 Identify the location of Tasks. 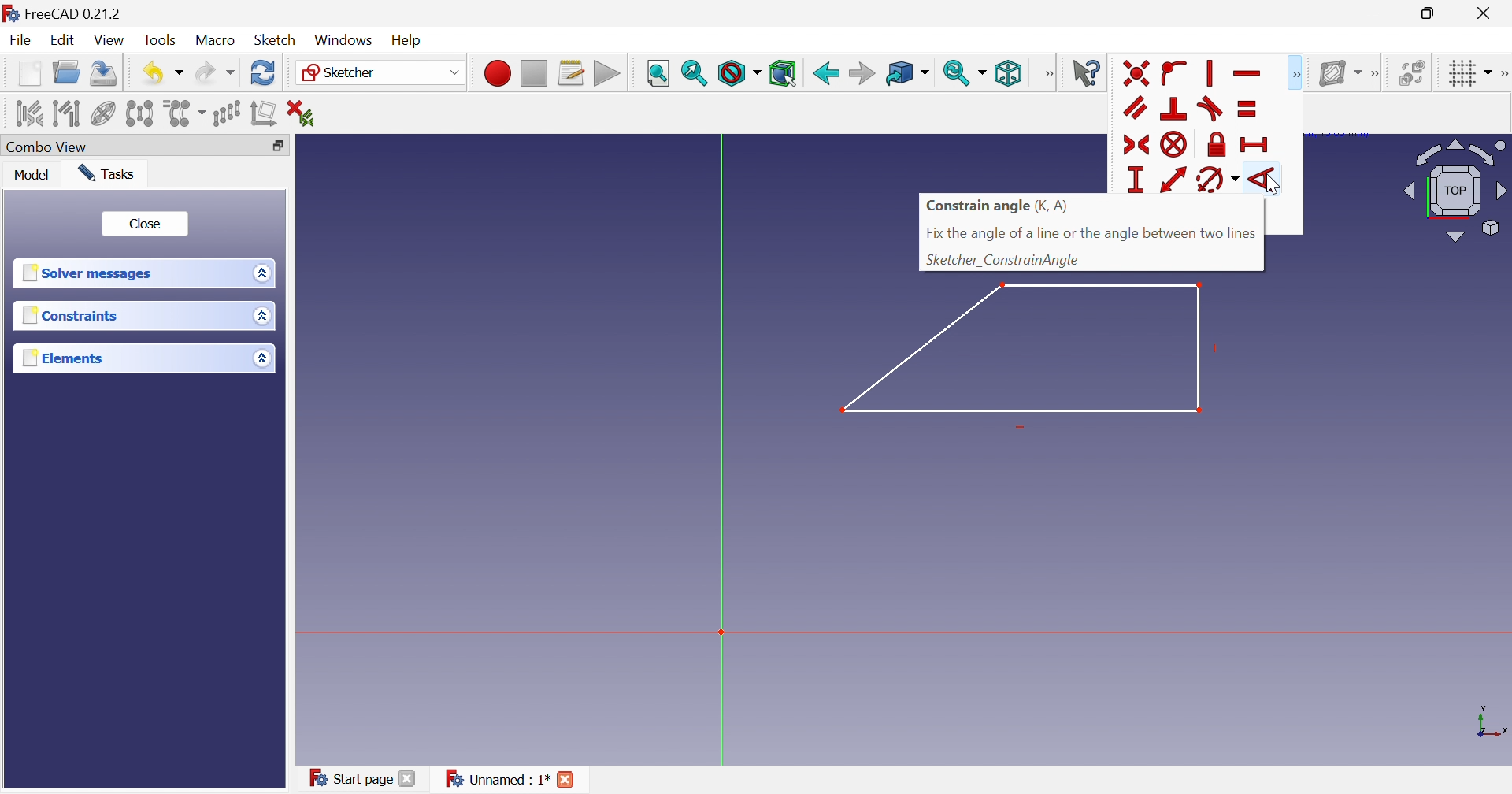
(110, 173).